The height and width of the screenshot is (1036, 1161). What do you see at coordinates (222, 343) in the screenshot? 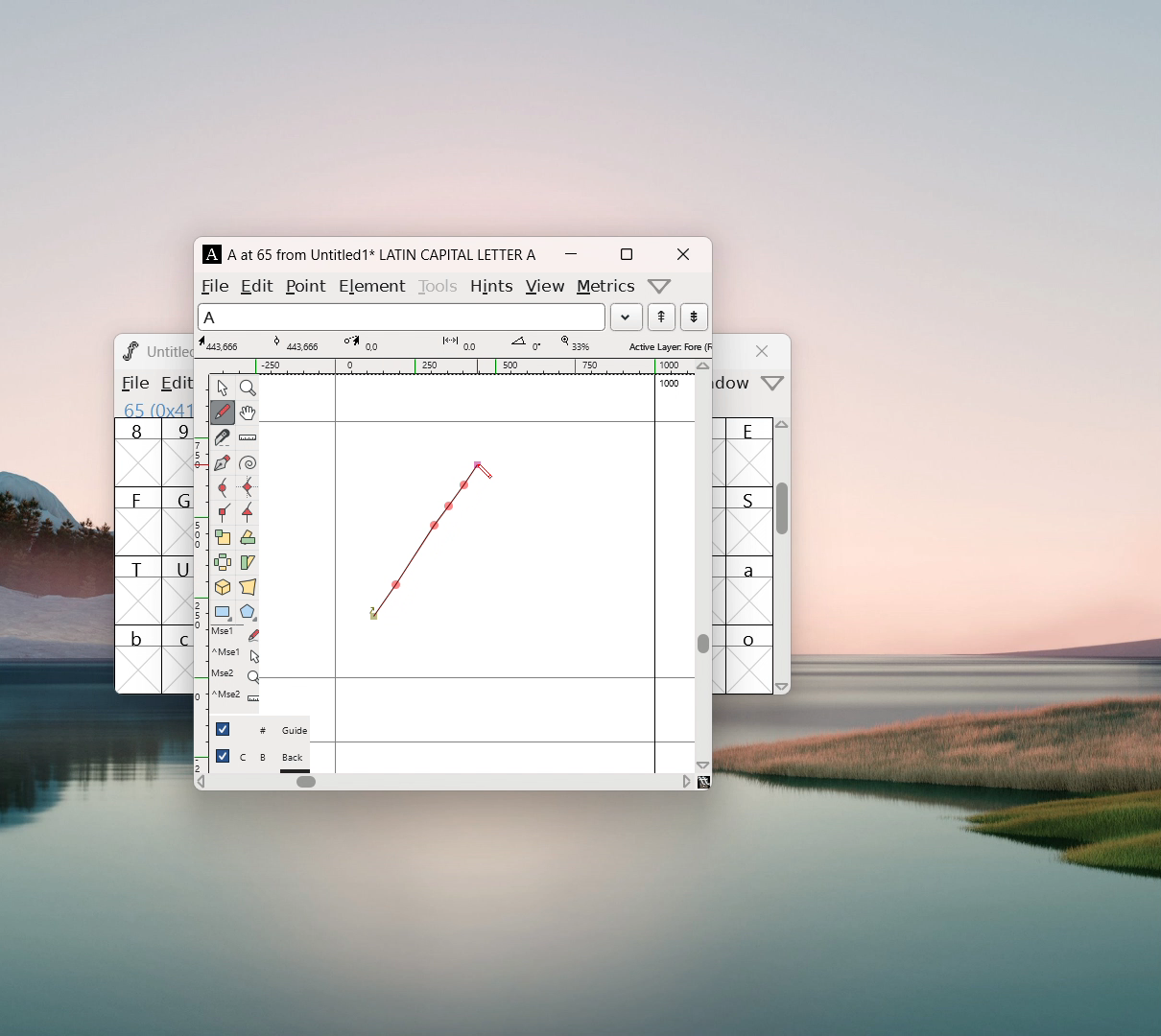
I see `cursor coordinates` at bounding box center [222, 343].